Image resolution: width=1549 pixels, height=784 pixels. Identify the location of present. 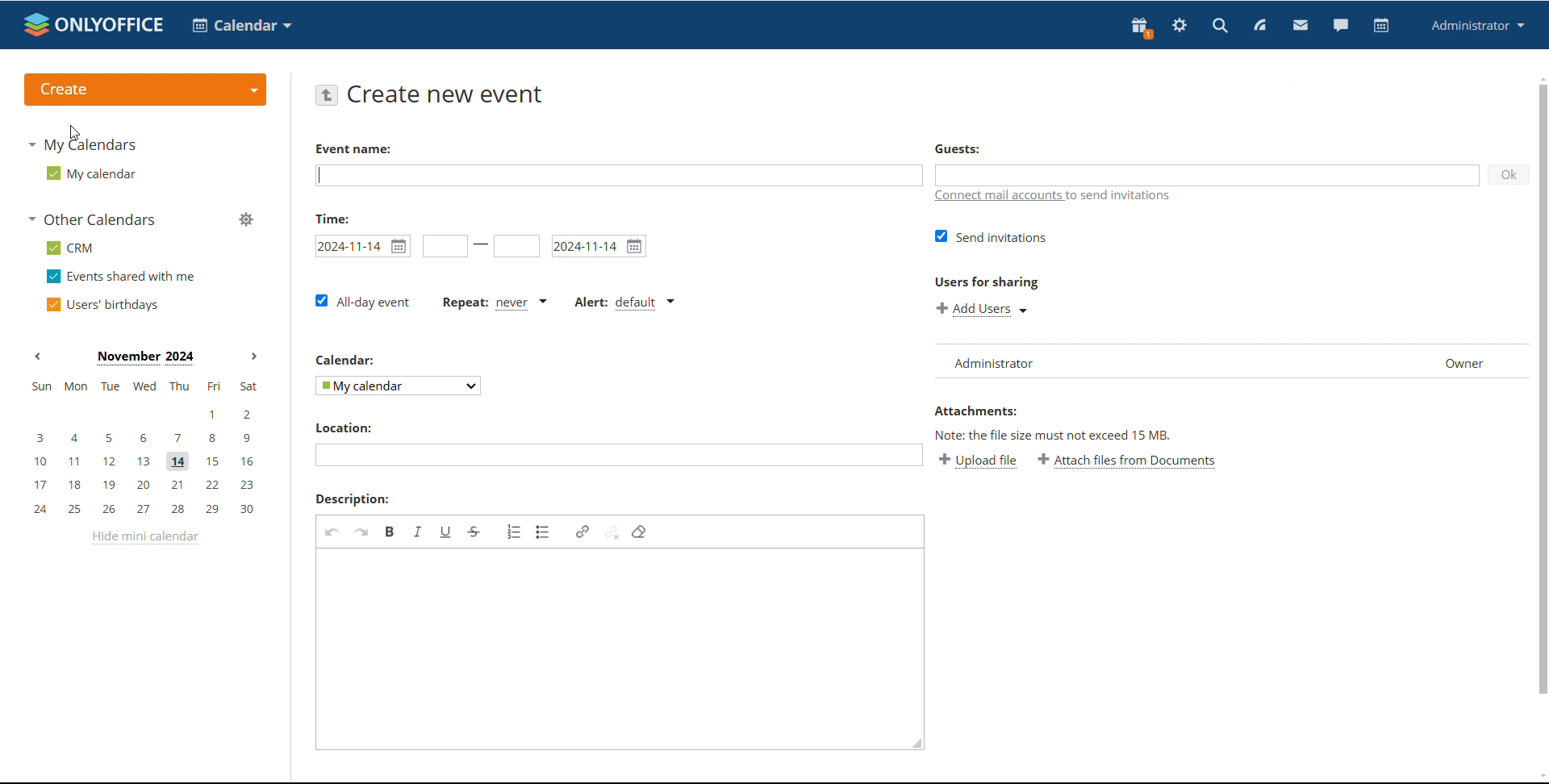
(1140, 27).